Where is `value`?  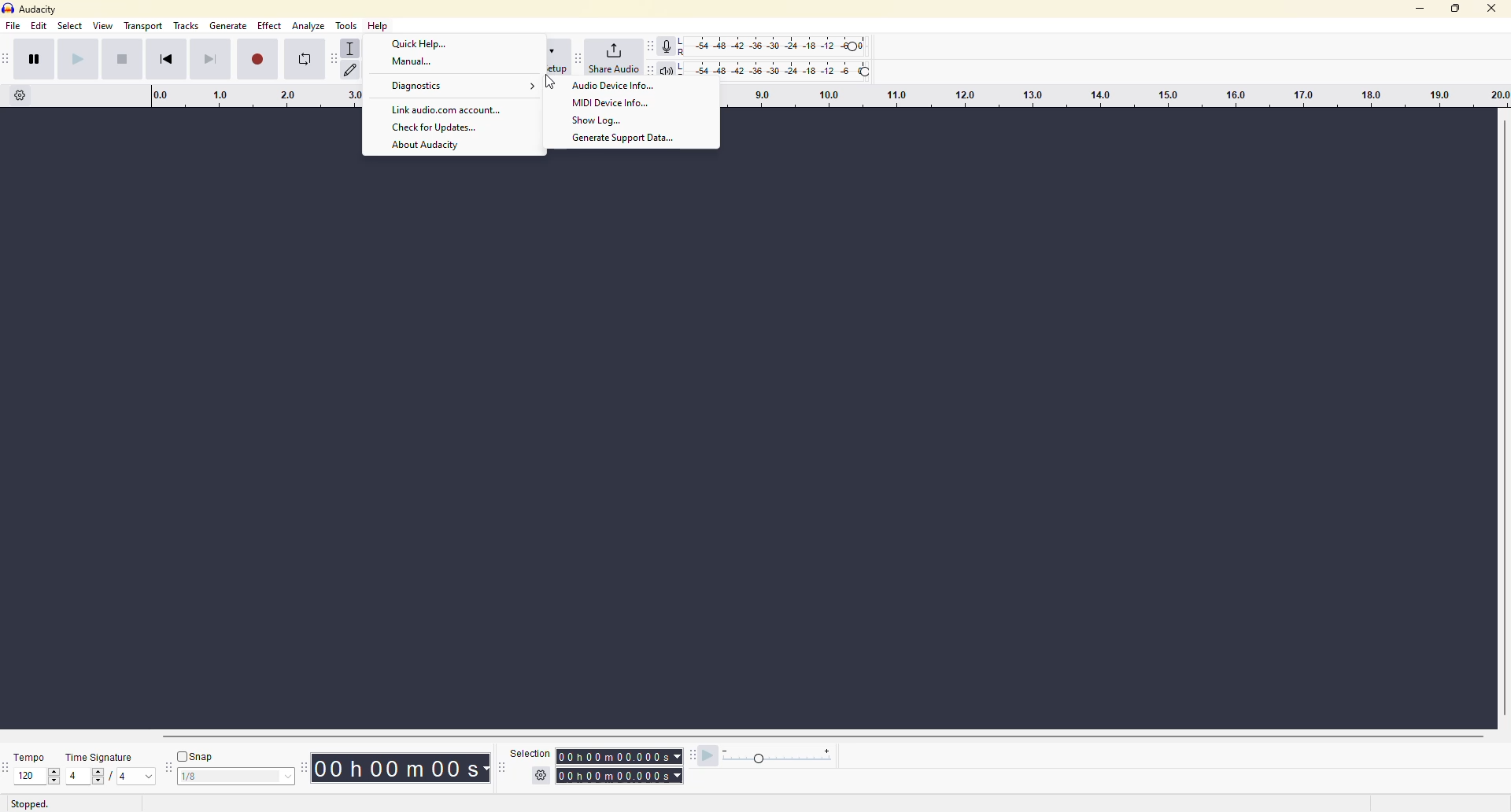 value is located at coordinates (29, 776).